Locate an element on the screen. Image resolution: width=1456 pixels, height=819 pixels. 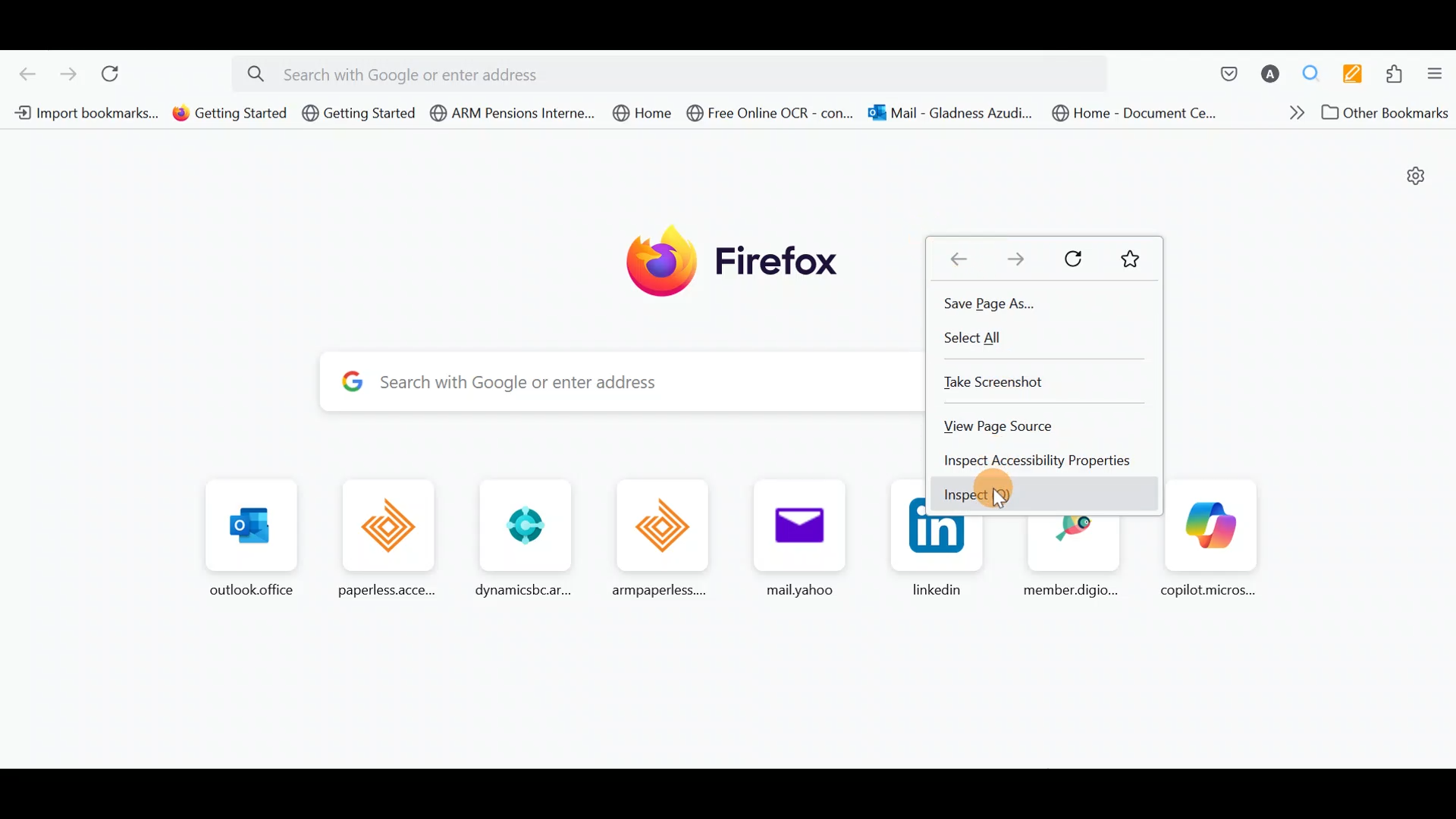
Firefox logo is located at coordinates (734, 256).